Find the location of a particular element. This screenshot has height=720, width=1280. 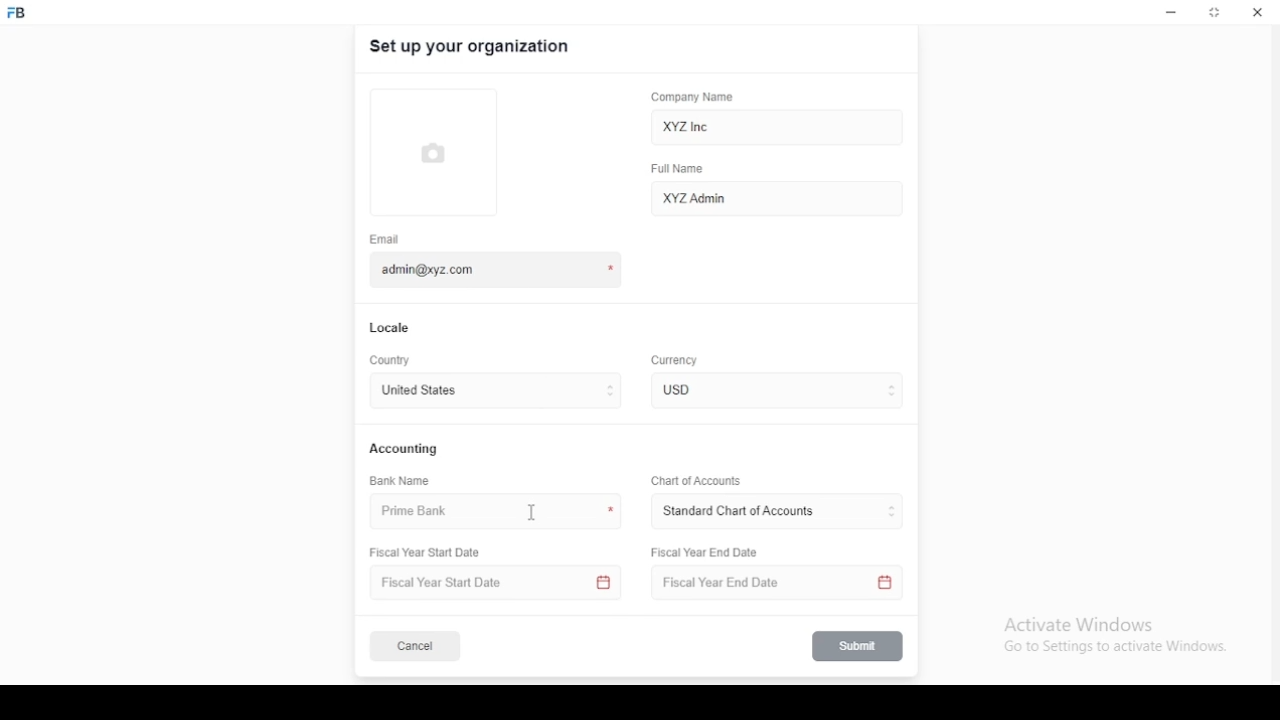

restore is located at coordinates (1216, 14).